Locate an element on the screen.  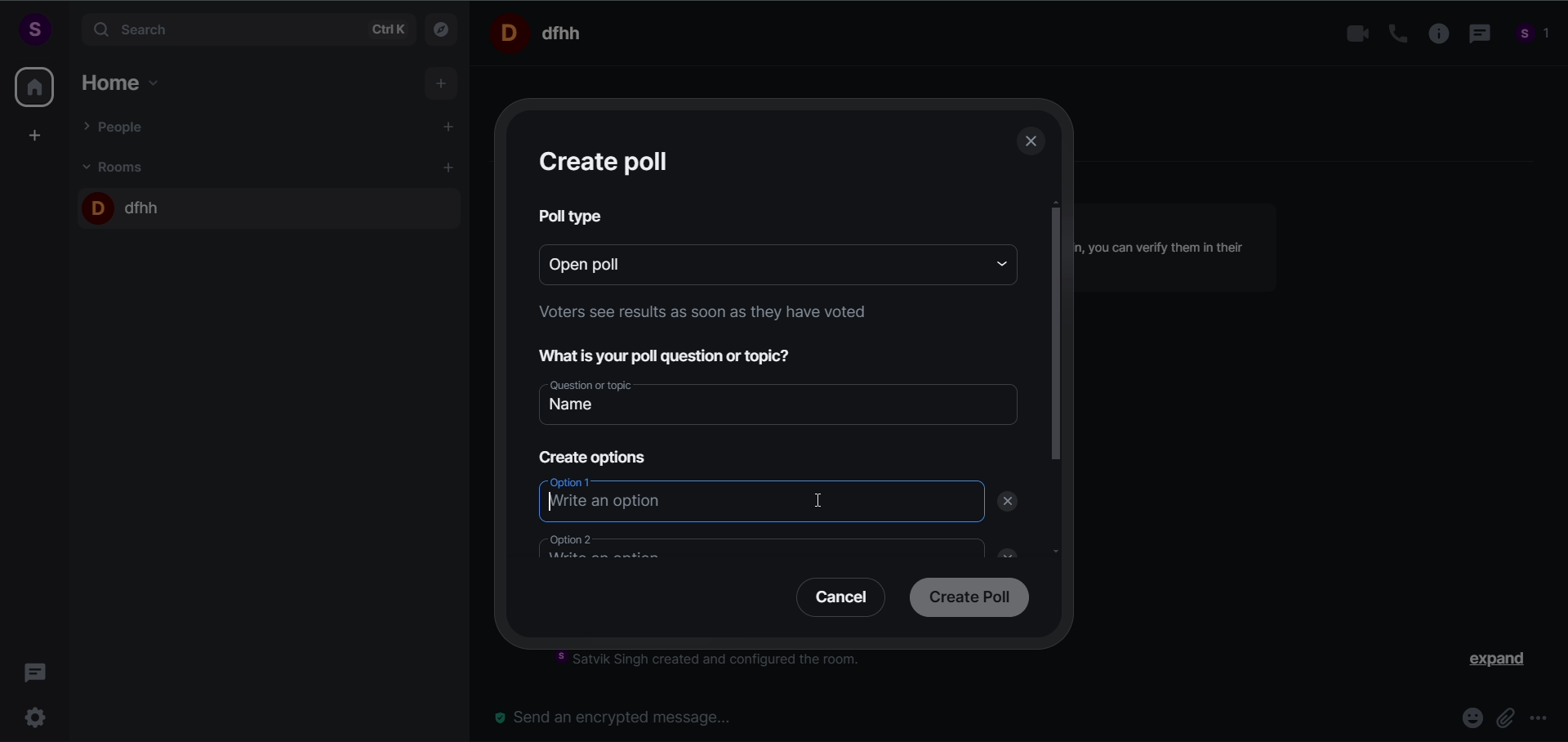
room info is located at coordinates (1433, 34).